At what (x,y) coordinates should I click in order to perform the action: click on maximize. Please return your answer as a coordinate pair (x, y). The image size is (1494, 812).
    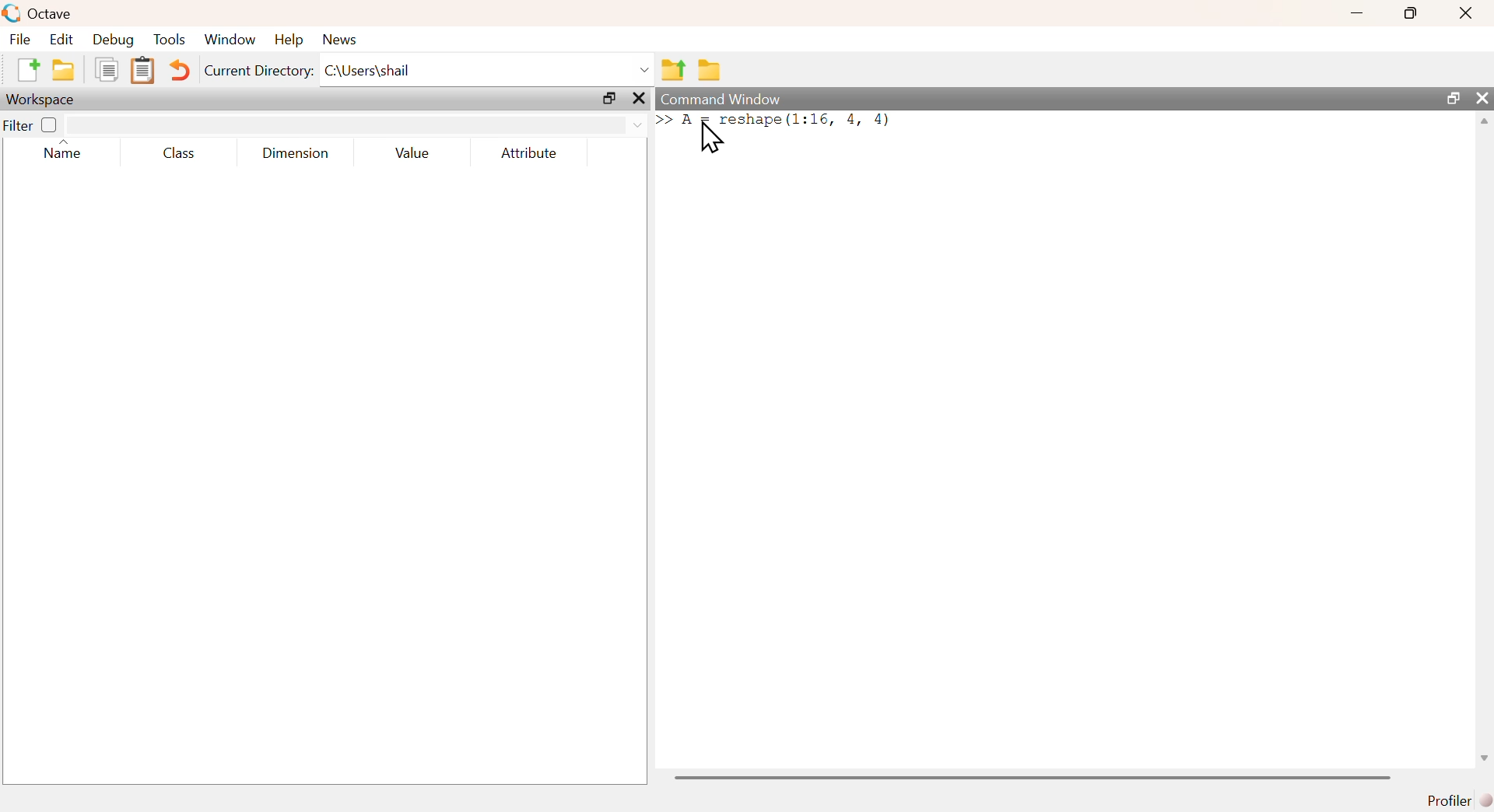
    Looking at the image, I should click on (608, 100).